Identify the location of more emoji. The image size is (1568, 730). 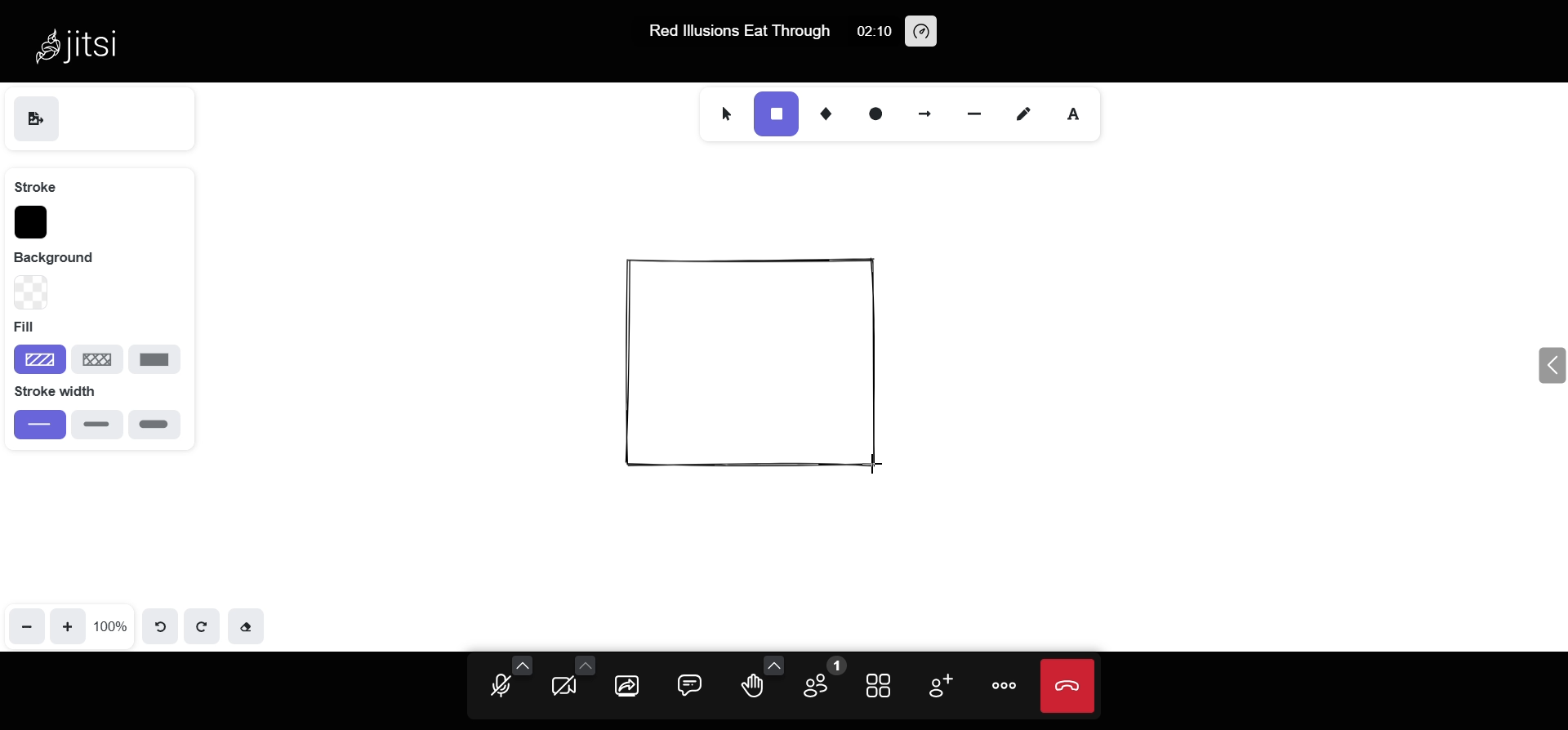
(775, 664).